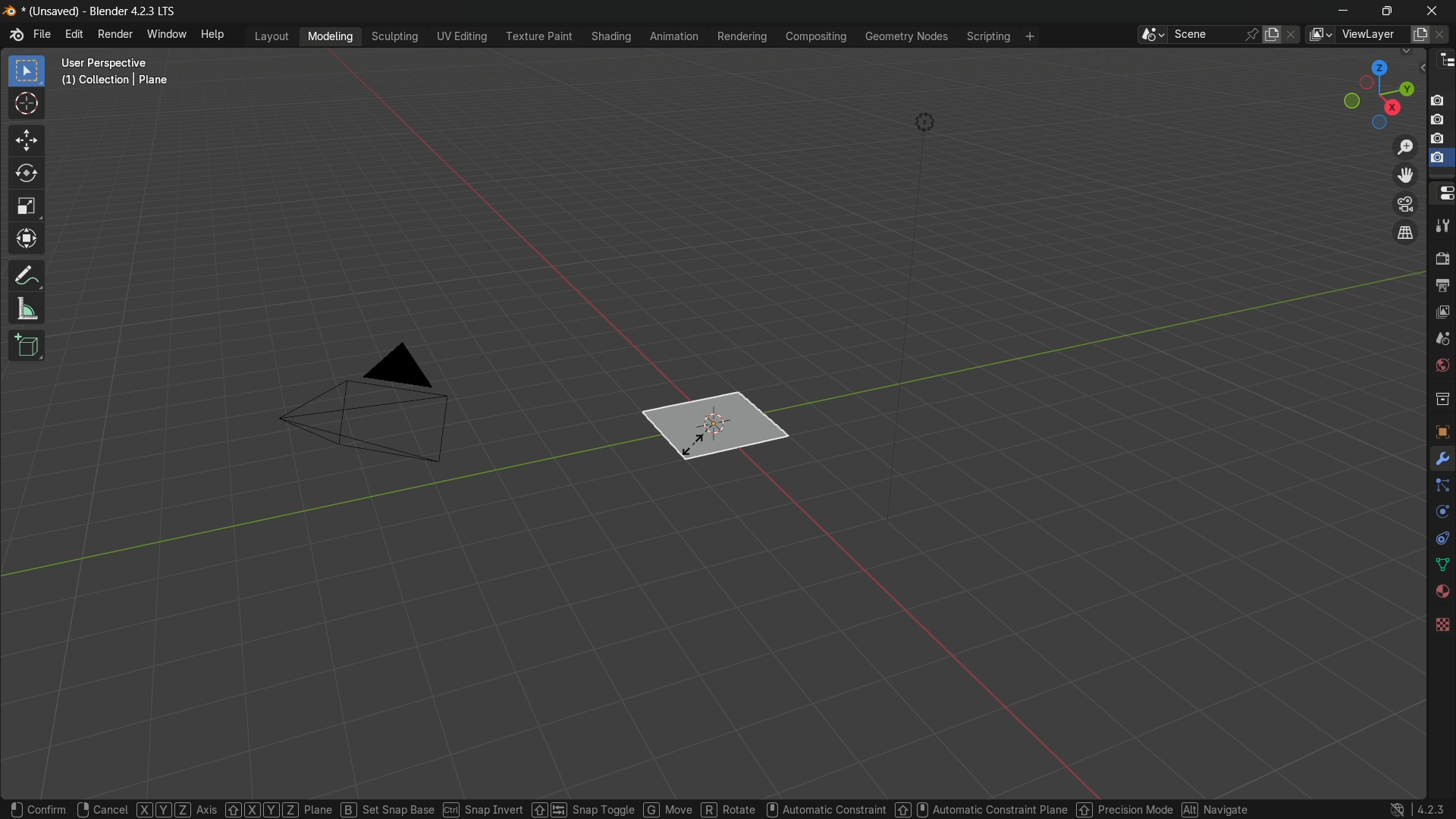 The height and width of the screenshot is (819, 1456). Describe the element at coordinates (516, 805) in the screenshot. I see `snap invert` at that location.